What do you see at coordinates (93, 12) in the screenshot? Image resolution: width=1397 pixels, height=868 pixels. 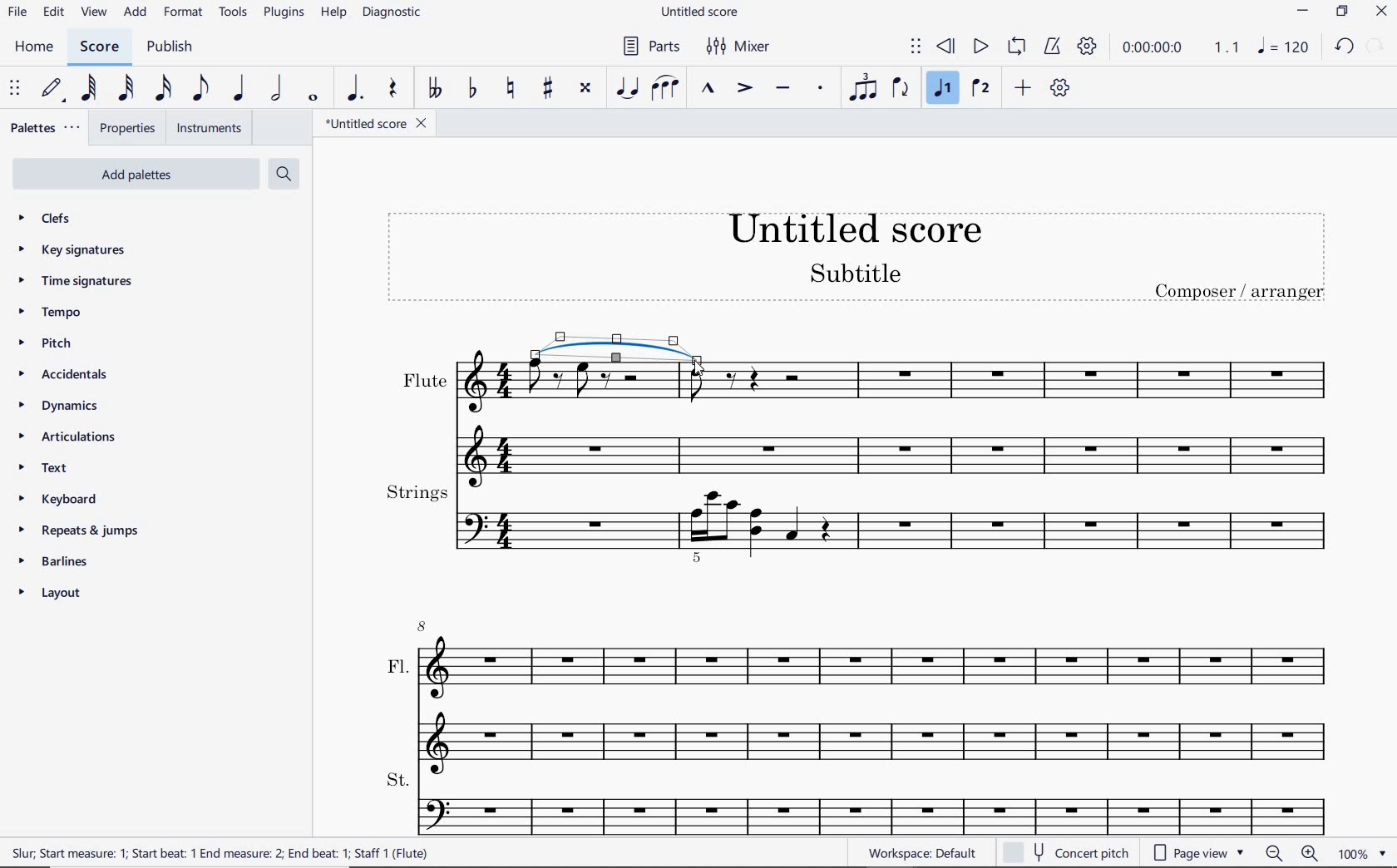 I see `view` at bounding box center [93, 12].